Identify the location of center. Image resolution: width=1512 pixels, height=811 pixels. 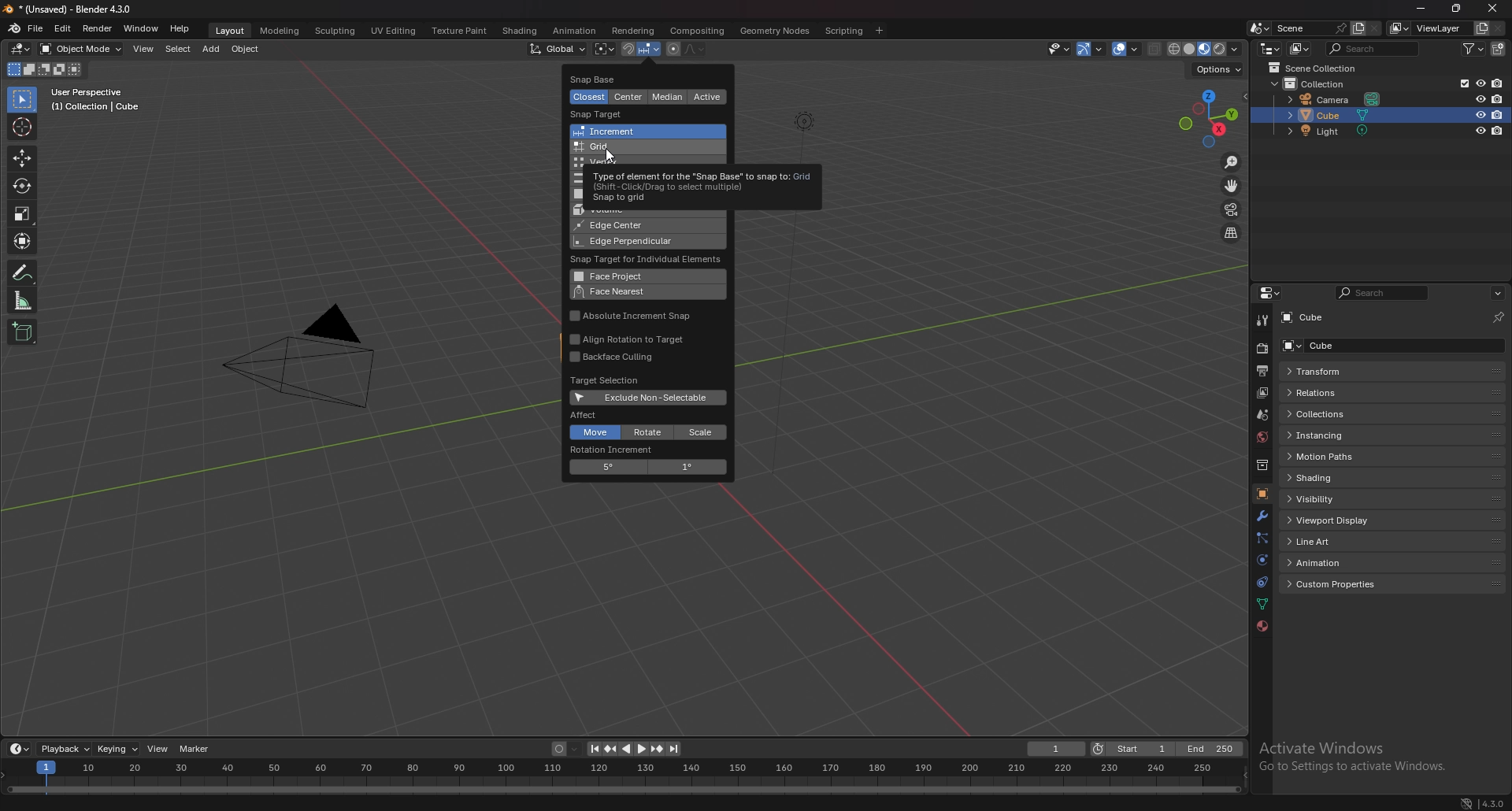
(628, 98).